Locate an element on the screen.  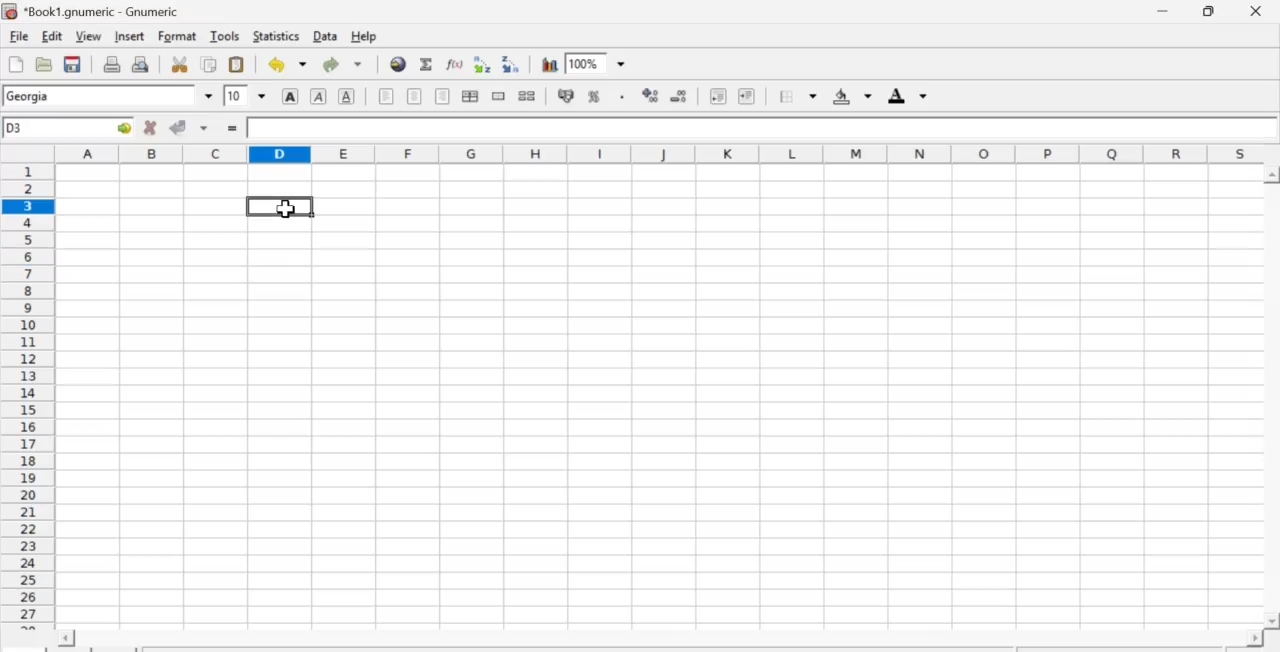
Split cells is located at coordinates (526, 96).